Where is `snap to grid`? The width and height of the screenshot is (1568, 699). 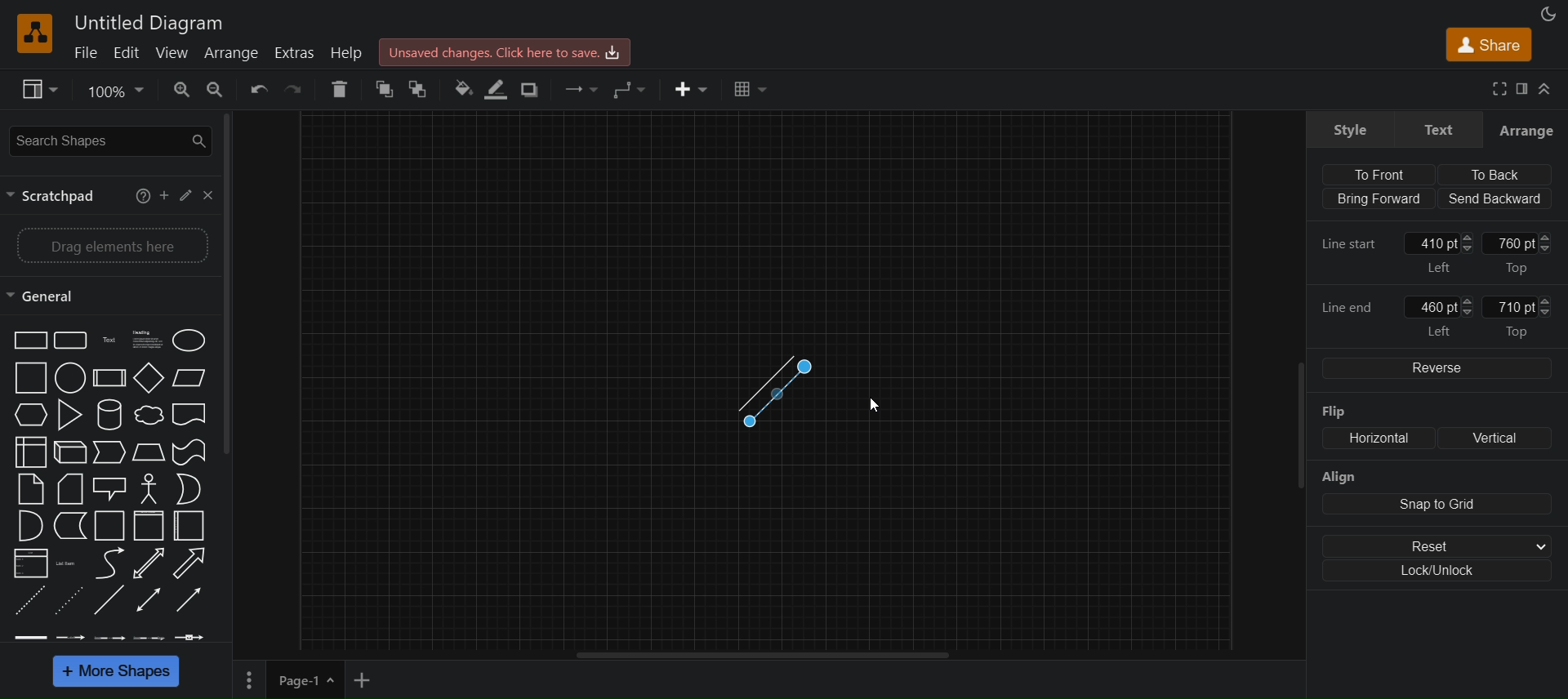
snap to grid is located at coordinates (1437, 505).